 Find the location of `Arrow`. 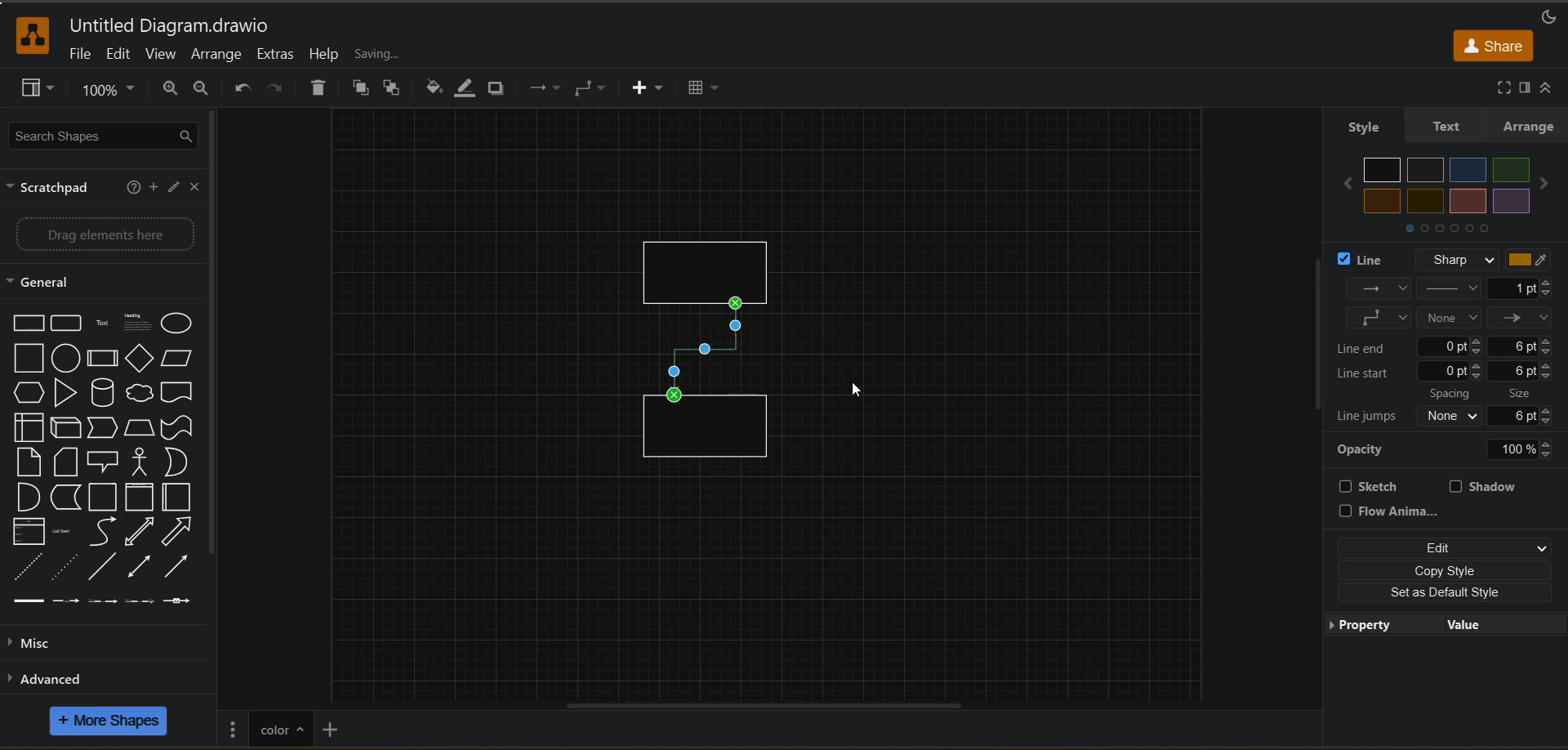

Arrow is located at coordinates (179, 531).